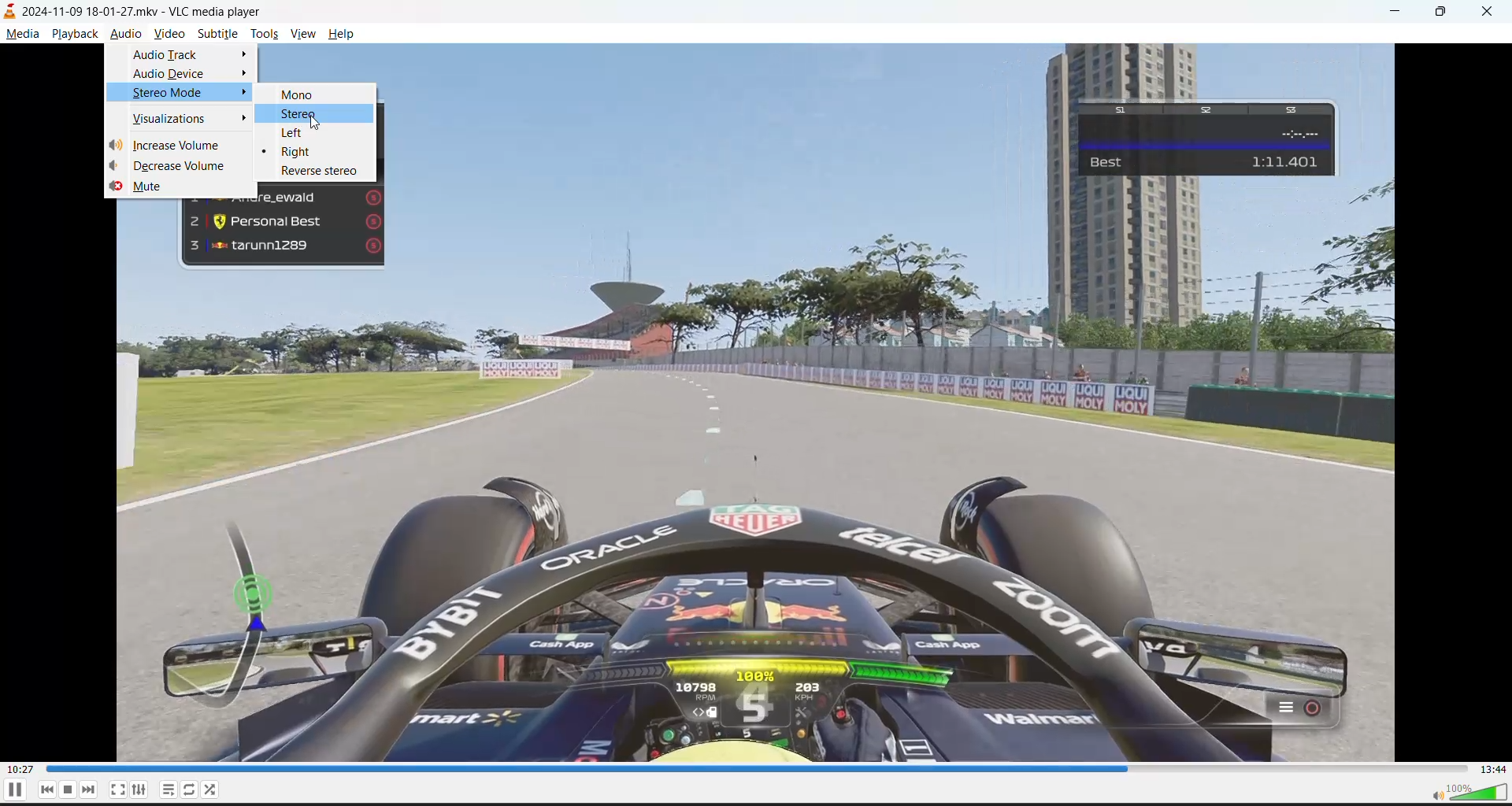 This screenshot has width=1512, height=806. I want to click on fullscreen, so click(116, 790).